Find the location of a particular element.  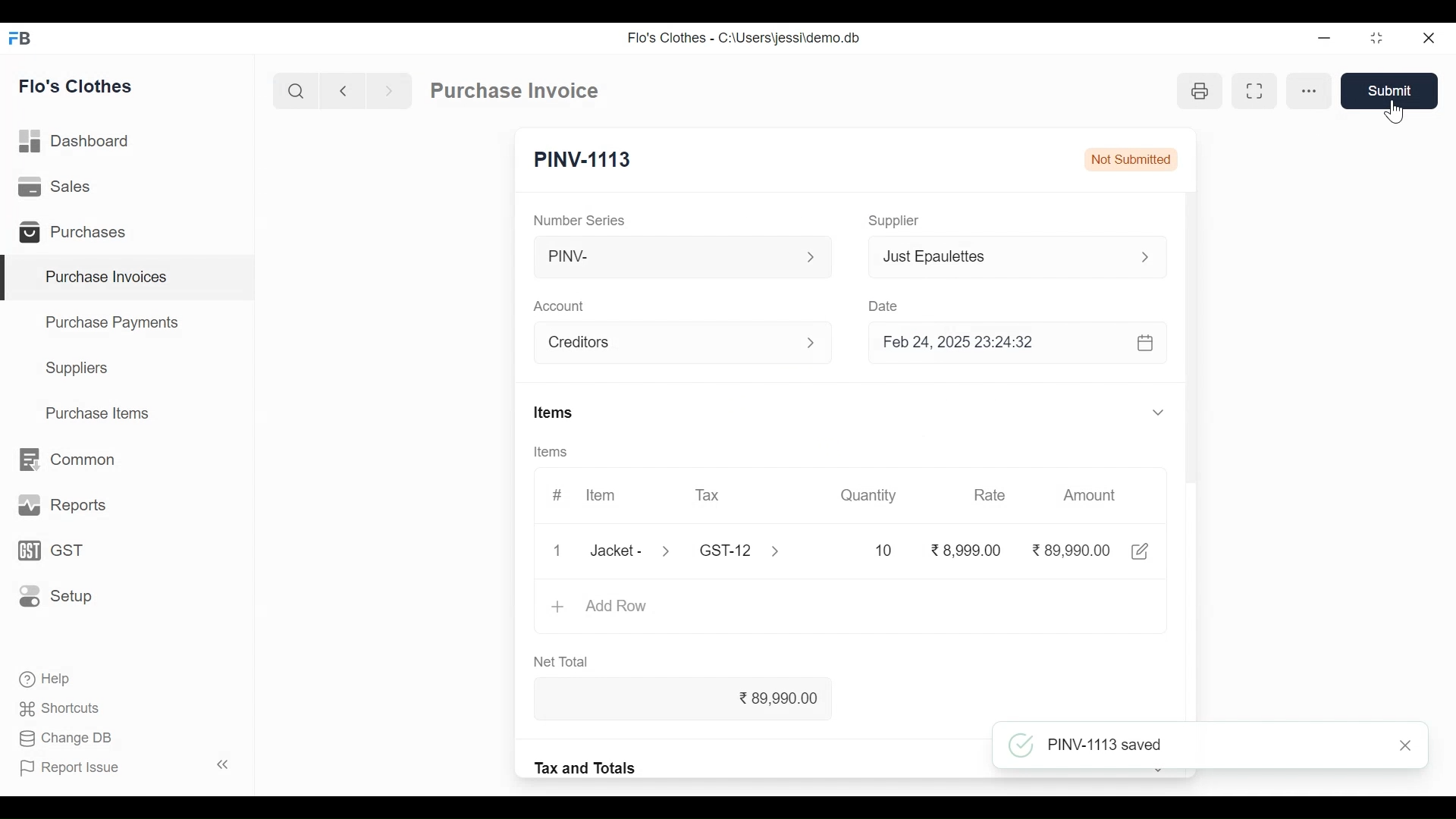

Expand is located at coordinates (1144, 257).